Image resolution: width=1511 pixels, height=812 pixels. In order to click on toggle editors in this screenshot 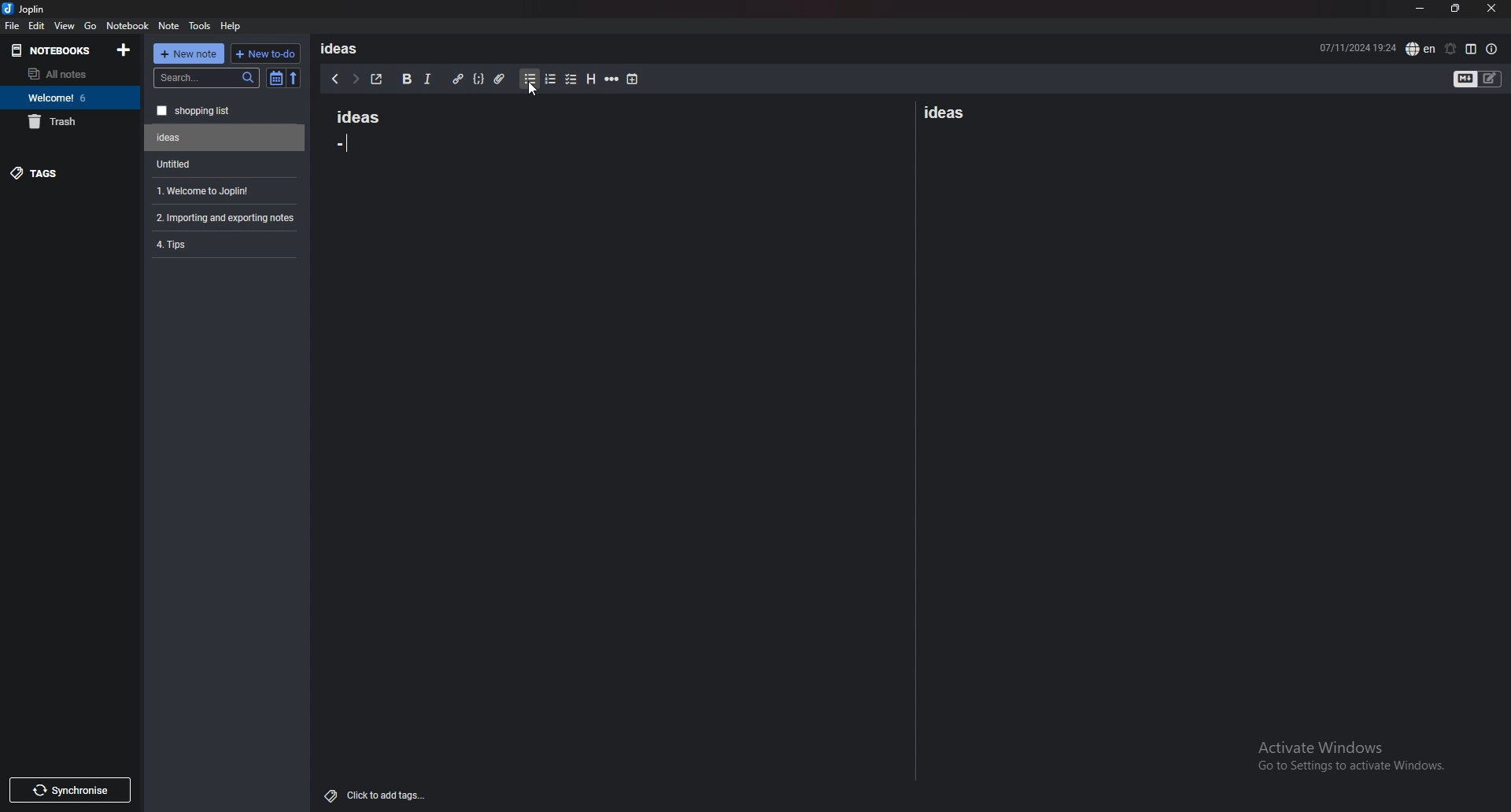, I will do `click(1478, 80)`.